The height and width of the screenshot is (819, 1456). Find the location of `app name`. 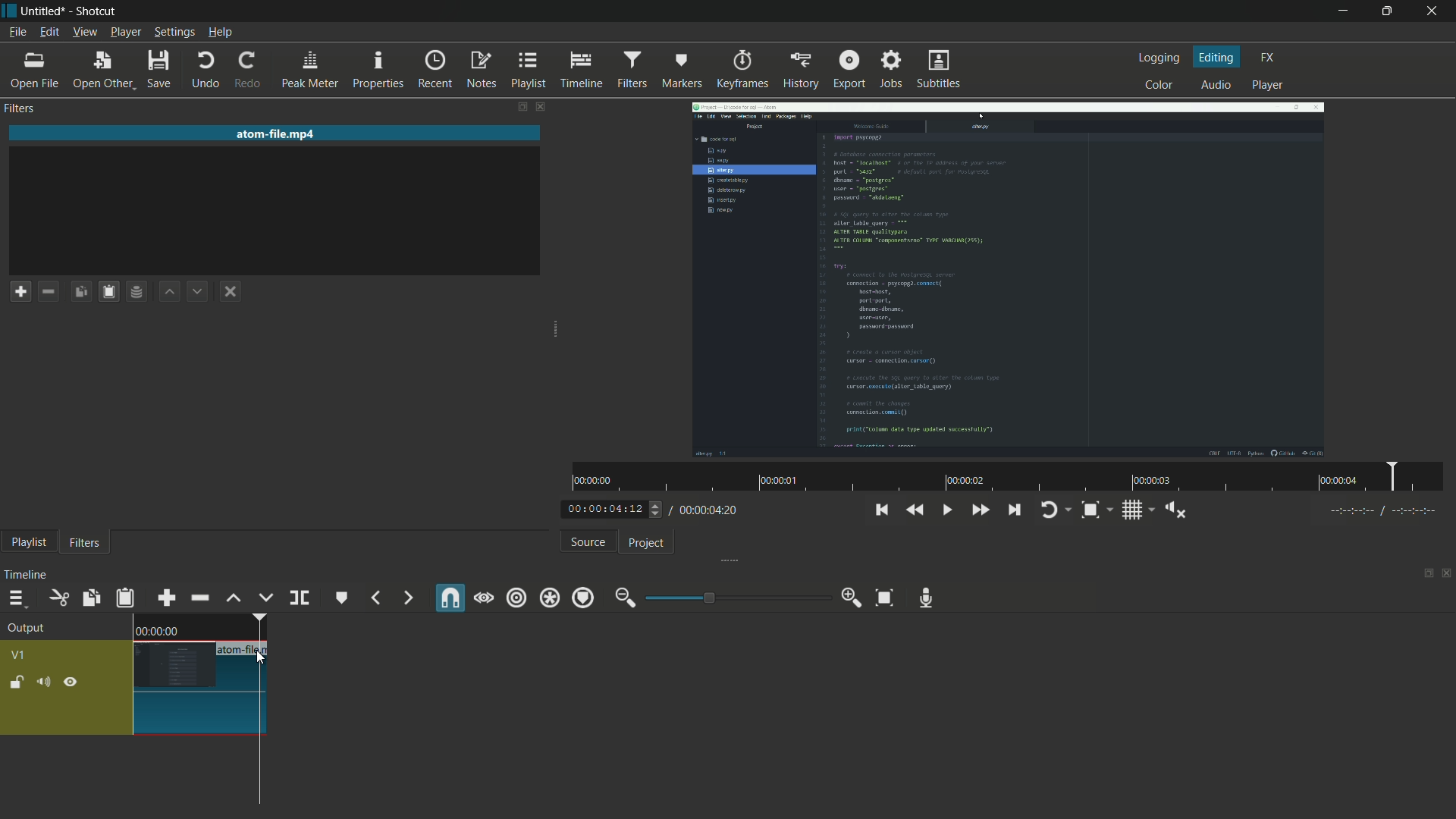

app name is located at coordinates (96, 11).